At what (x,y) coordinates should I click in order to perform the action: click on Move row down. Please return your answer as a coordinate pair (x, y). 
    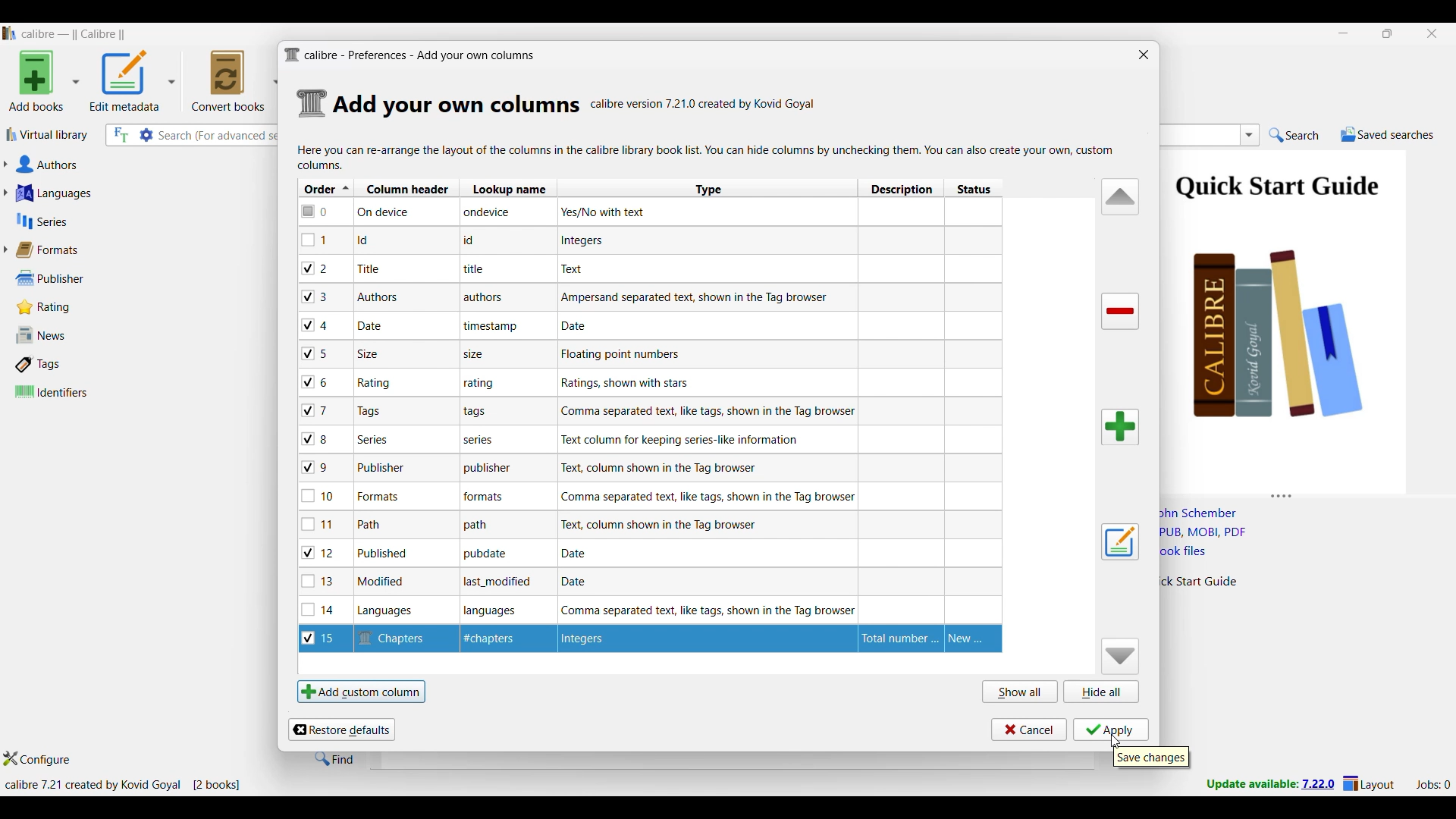
    Looking at the image, I should click on (1121, 656).